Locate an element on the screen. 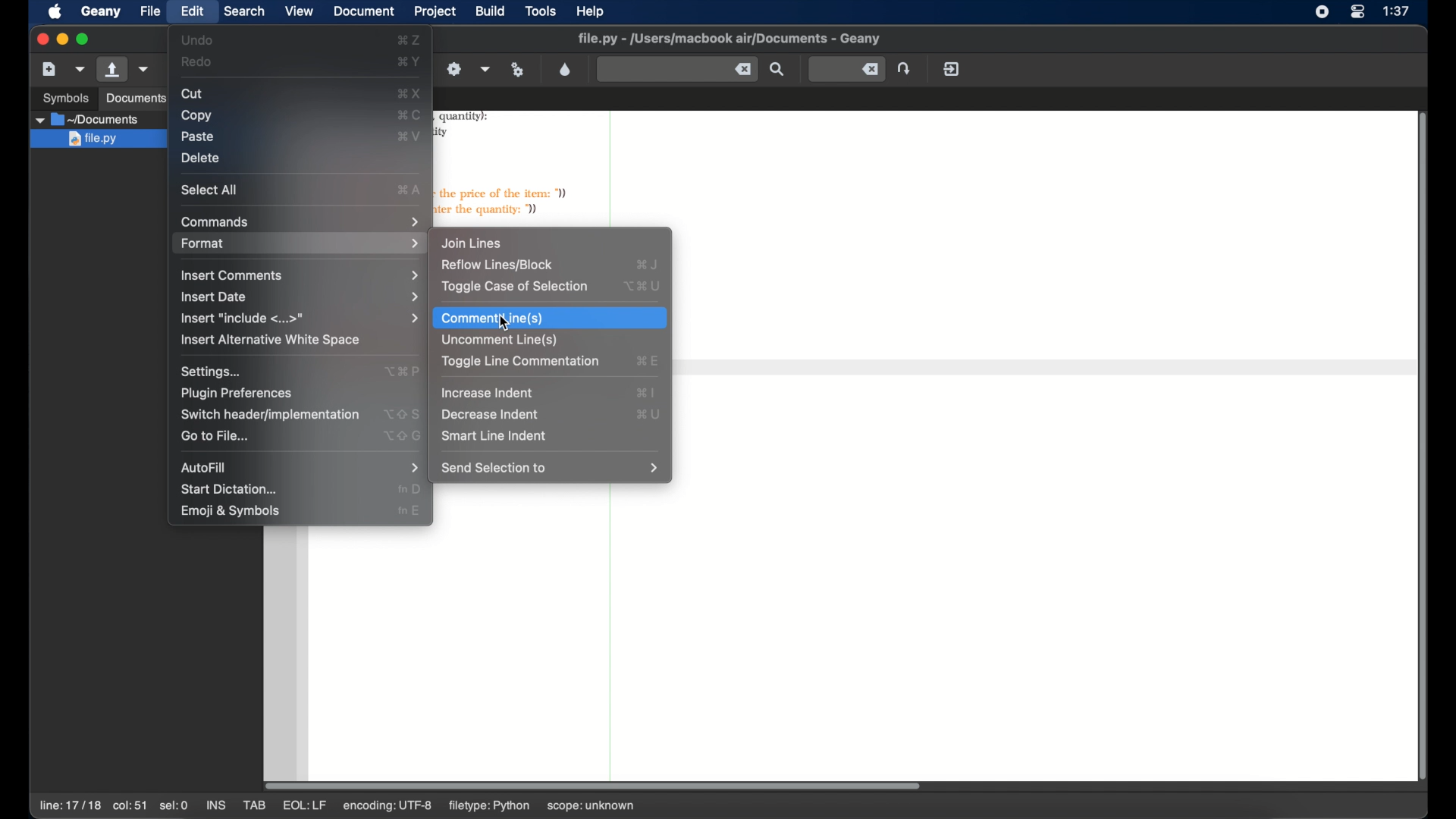 This screenshot has width=1456, height=819. start dictation shortcut is located at coordinates (409, 490).